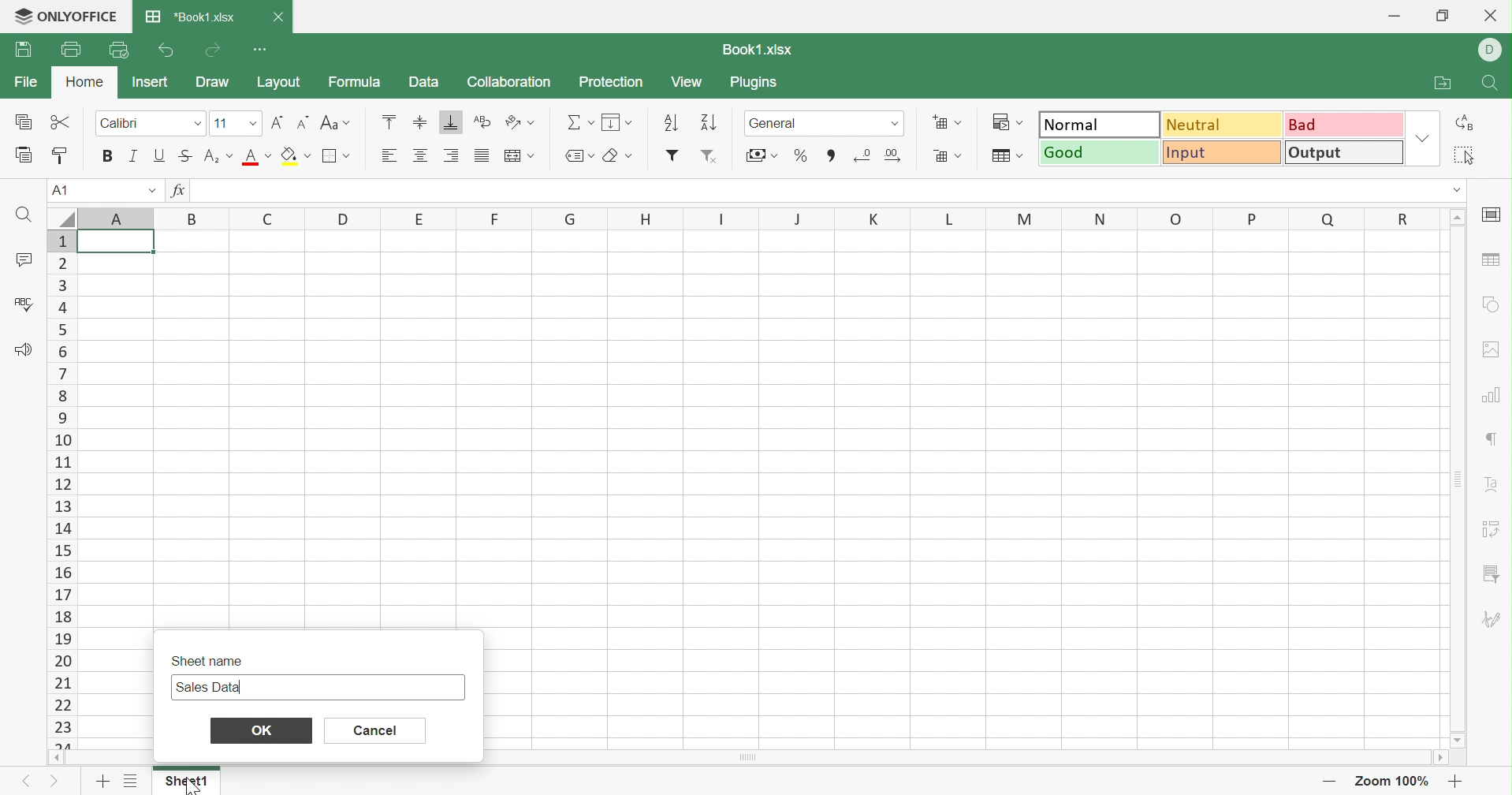  I want to click on Restore Down, so click(1439, 15).